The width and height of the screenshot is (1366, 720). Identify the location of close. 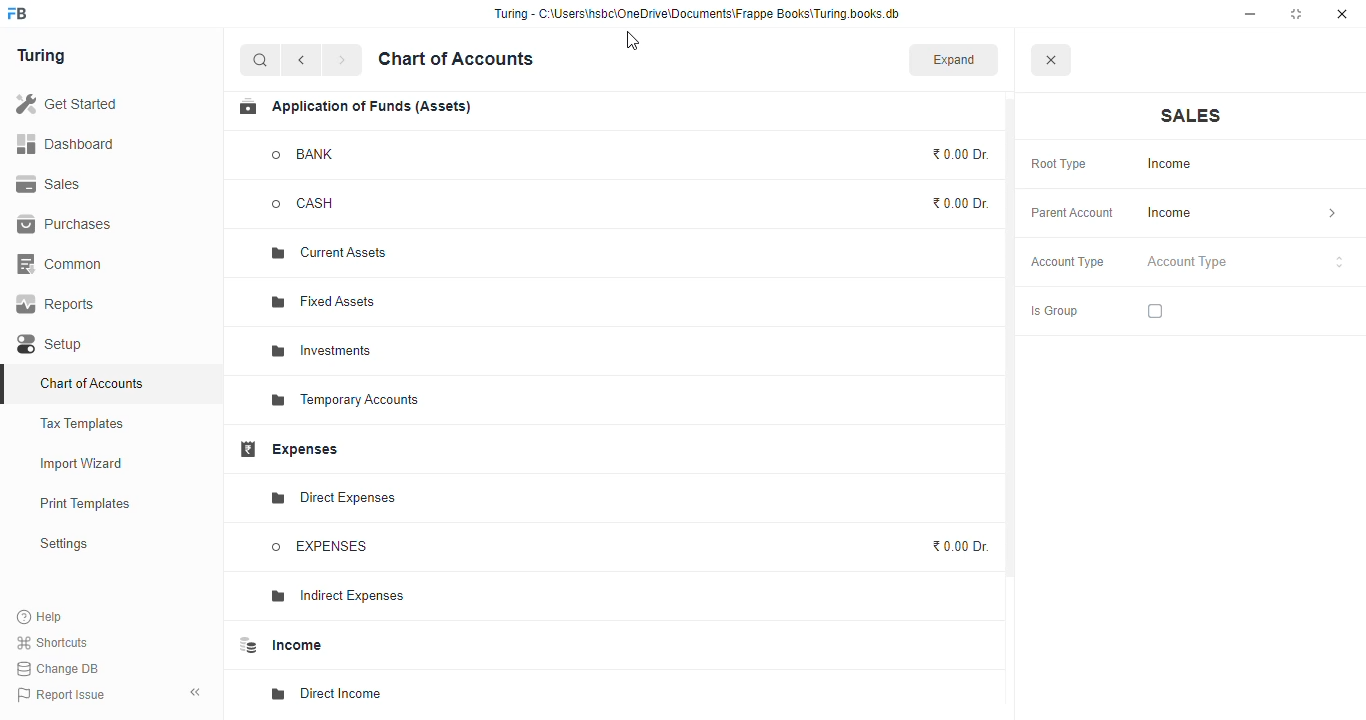
(1050, 59).